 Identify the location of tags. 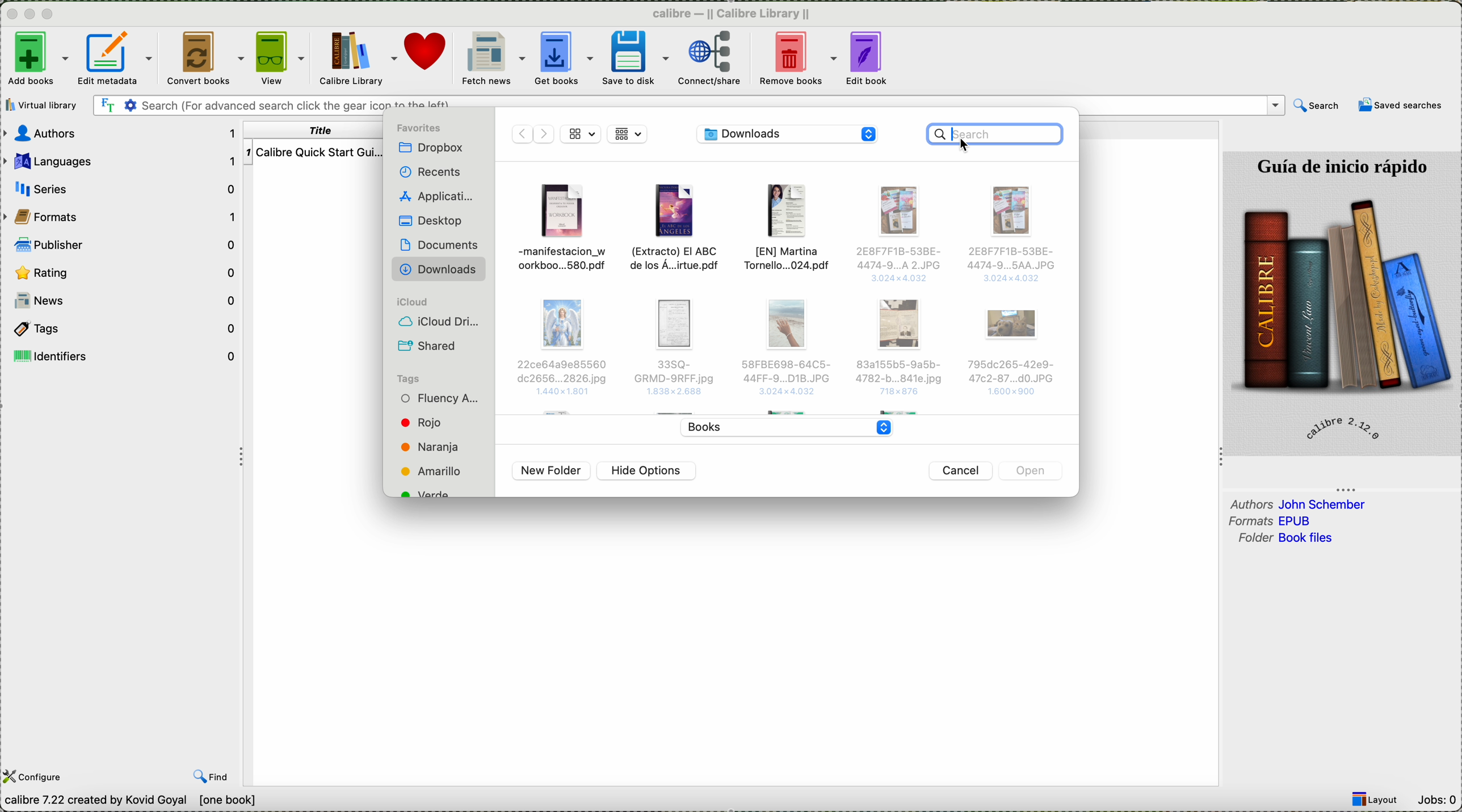
(125, 329).